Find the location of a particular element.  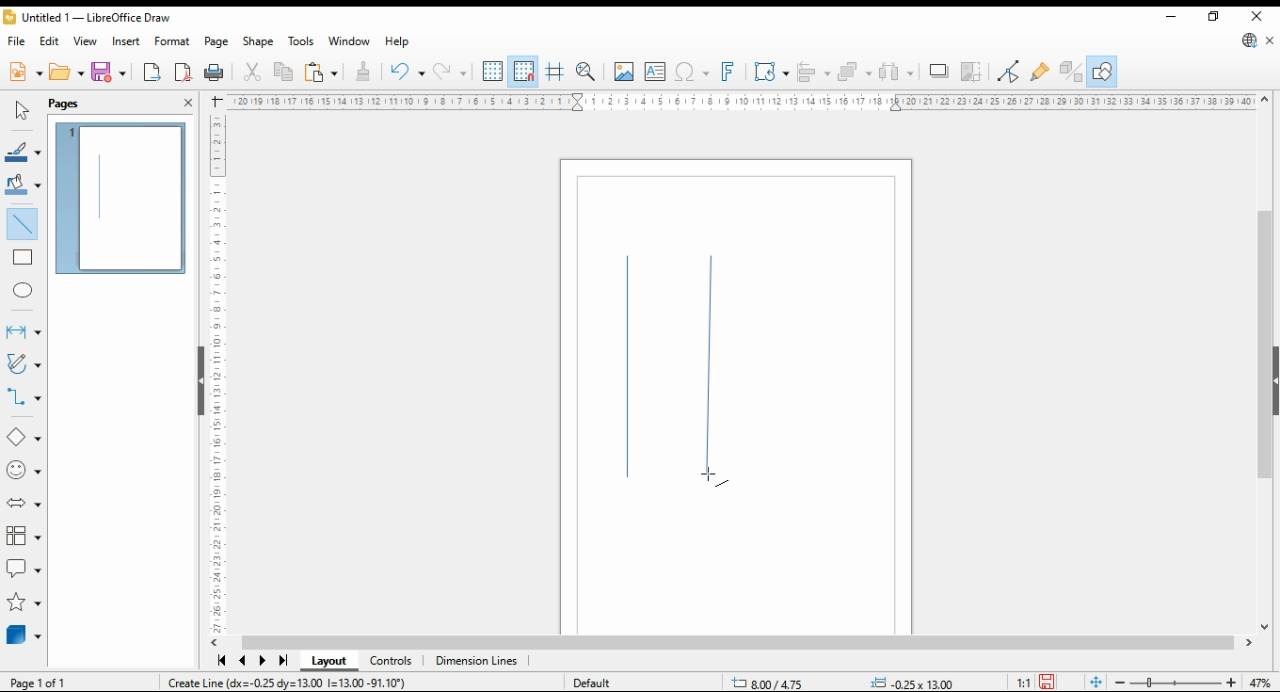

-21.15/11.78 is located at coordinates (776, 683).